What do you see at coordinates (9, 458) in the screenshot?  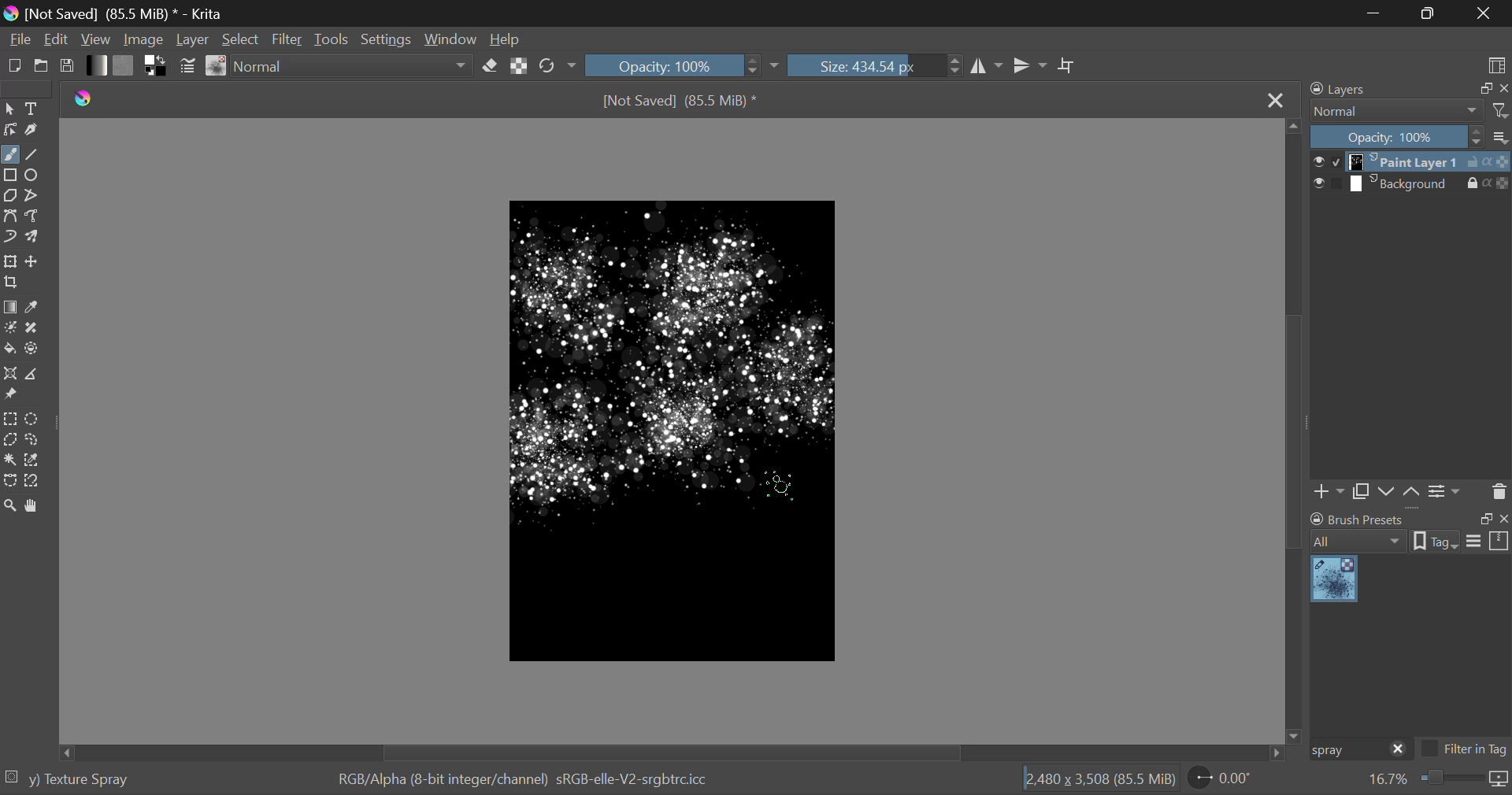 I see `Continuous Fill` at bounding box center [9, 458].